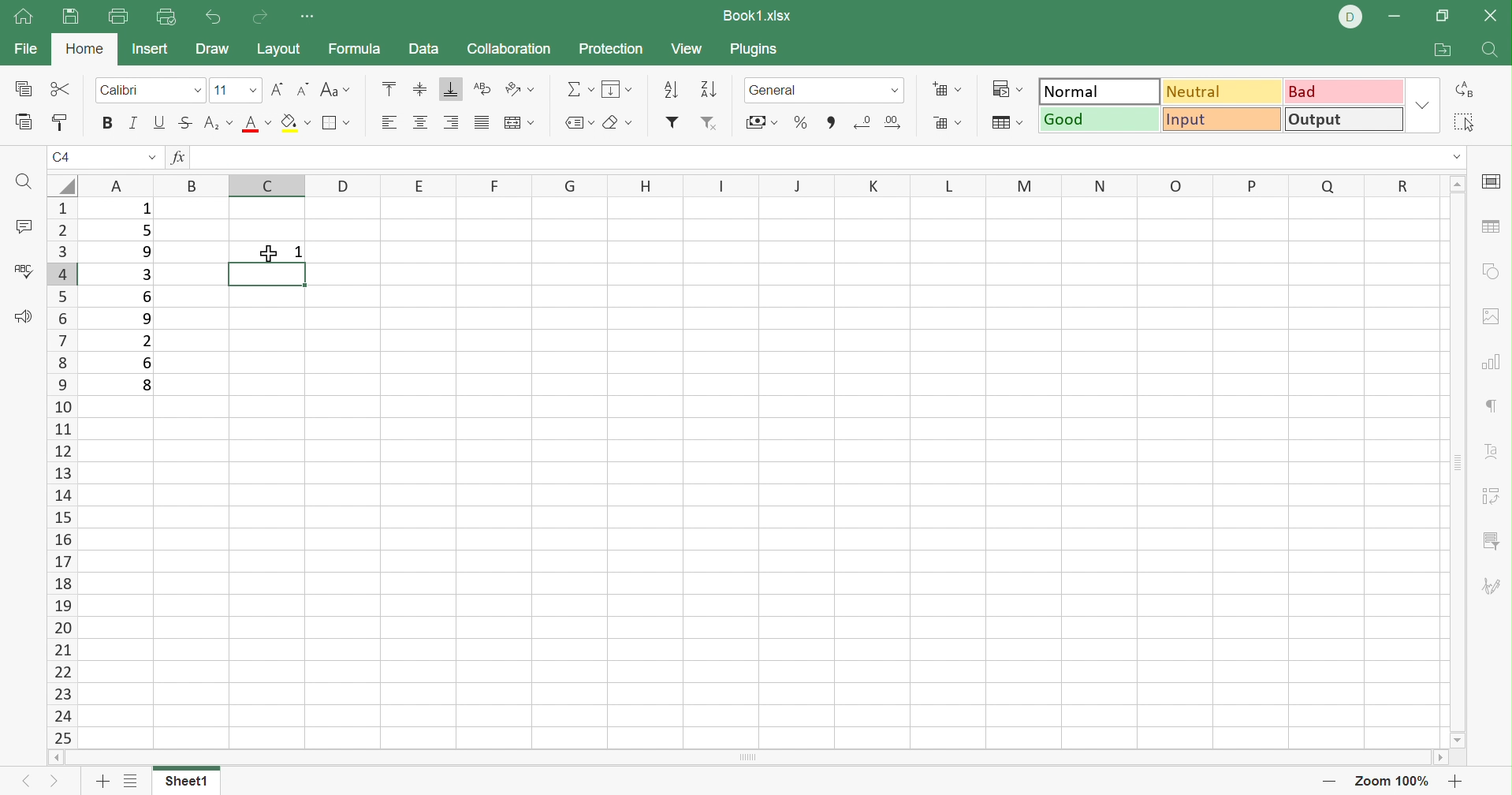  I want to click on Drop Down, so click(1458, 159).